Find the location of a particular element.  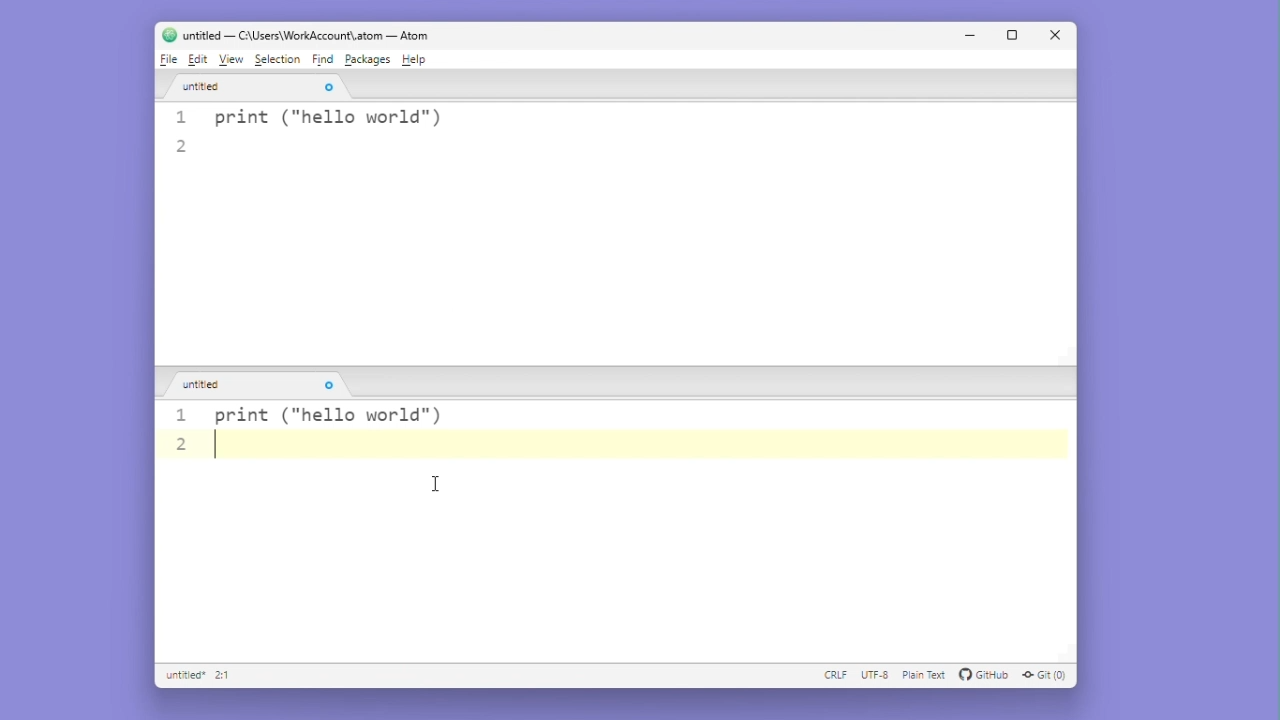

2:1 is located at coordinates (224, 676).